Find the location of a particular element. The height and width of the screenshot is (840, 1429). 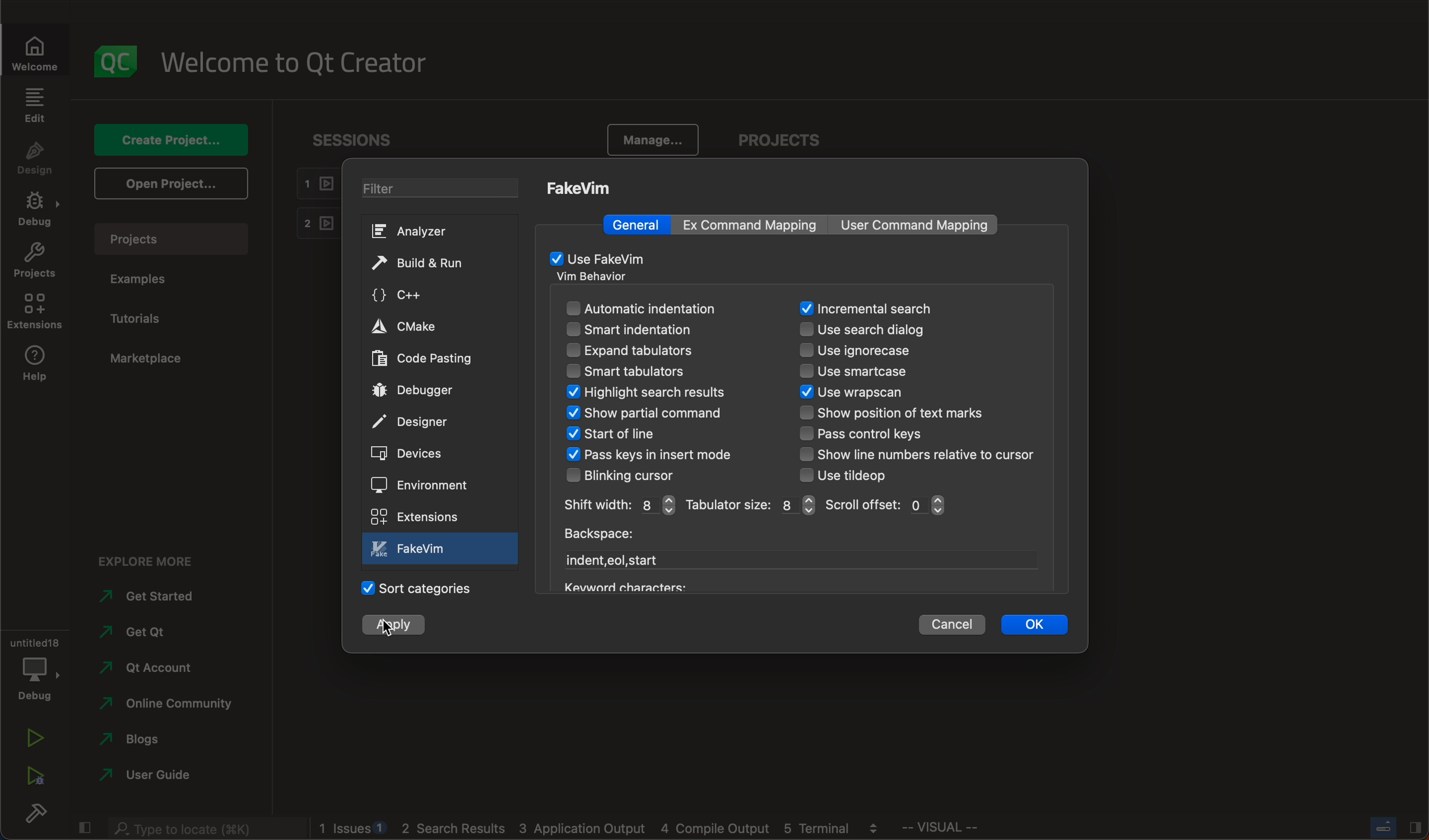

start is located at coordinates (616, 561).